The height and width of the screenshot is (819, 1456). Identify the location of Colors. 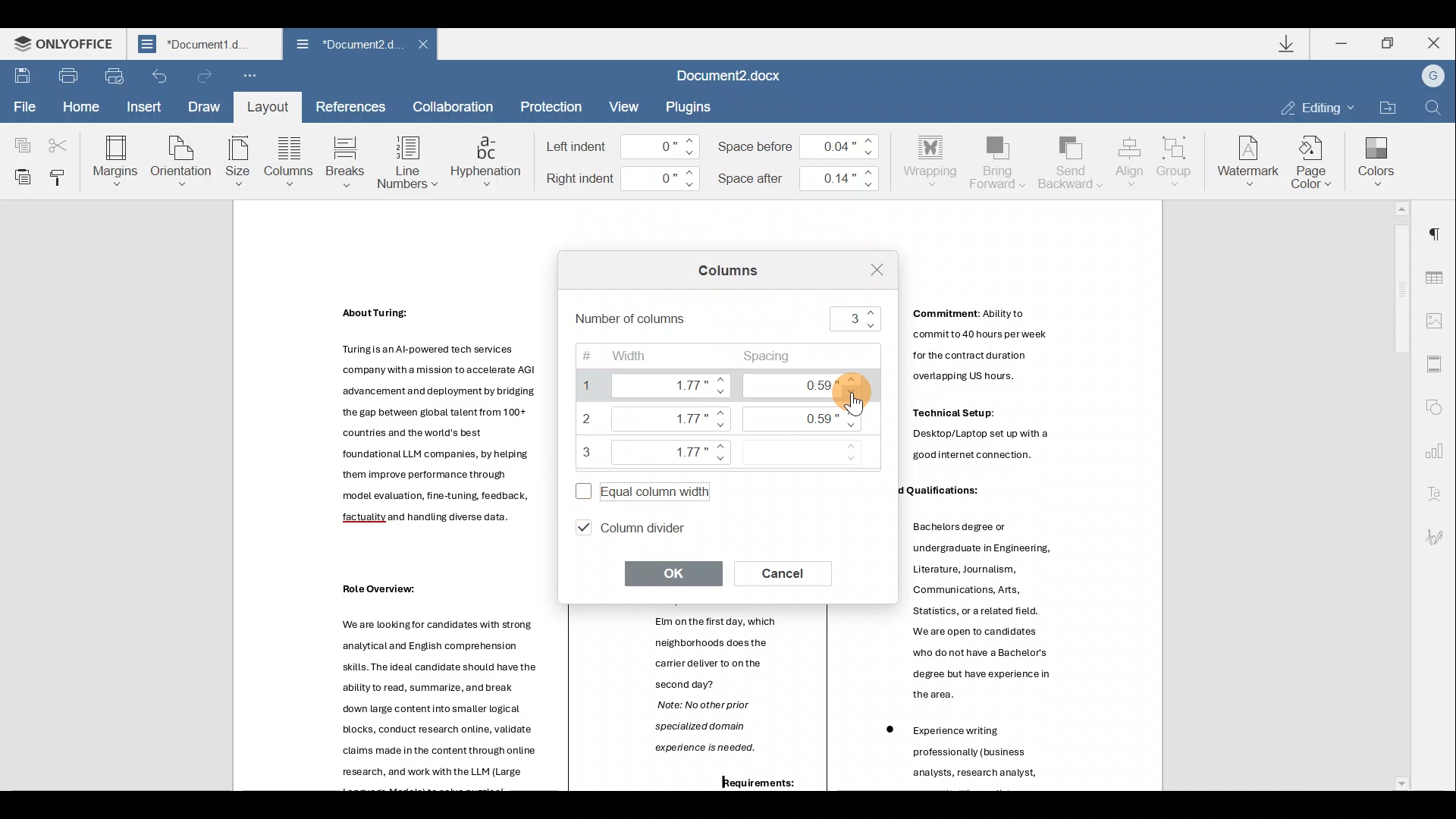
(1376, 157).